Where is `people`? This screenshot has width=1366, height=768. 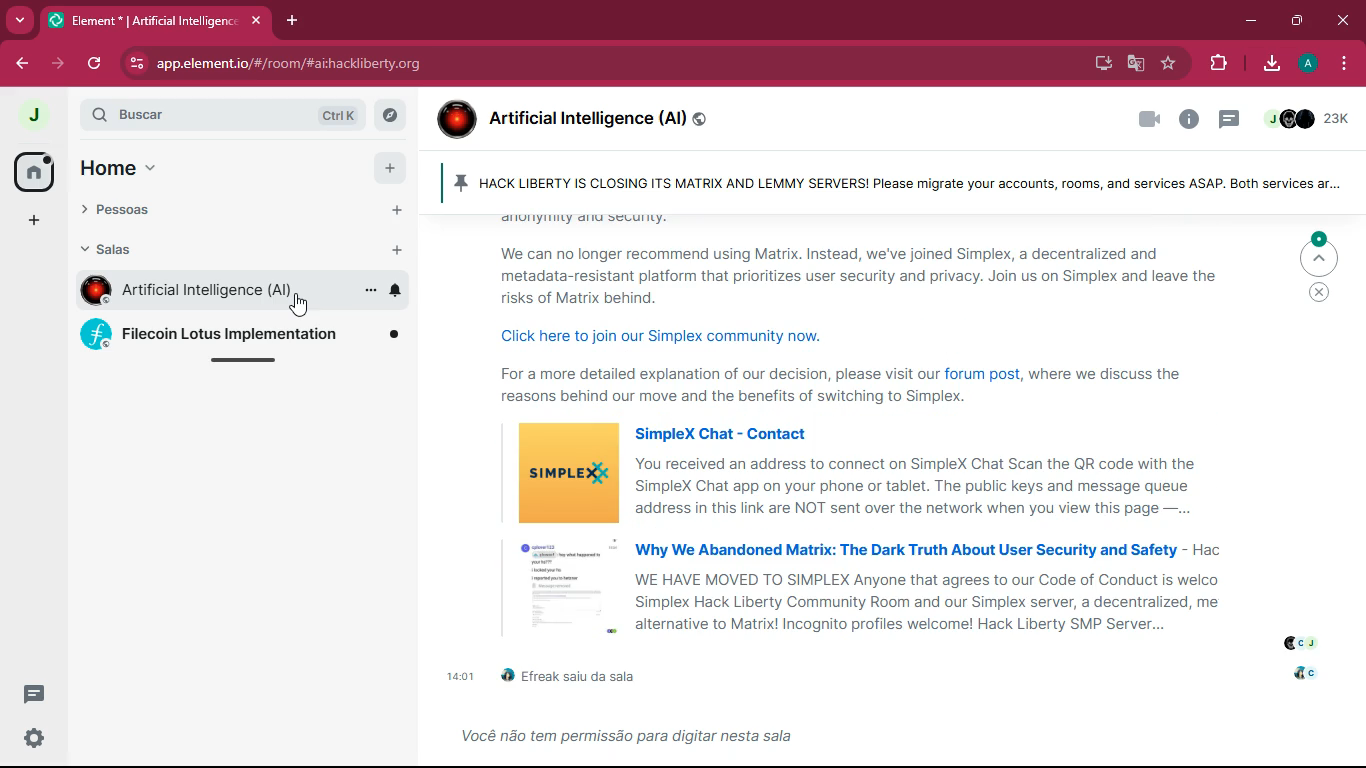
people is located at coordinates (1301, 673).